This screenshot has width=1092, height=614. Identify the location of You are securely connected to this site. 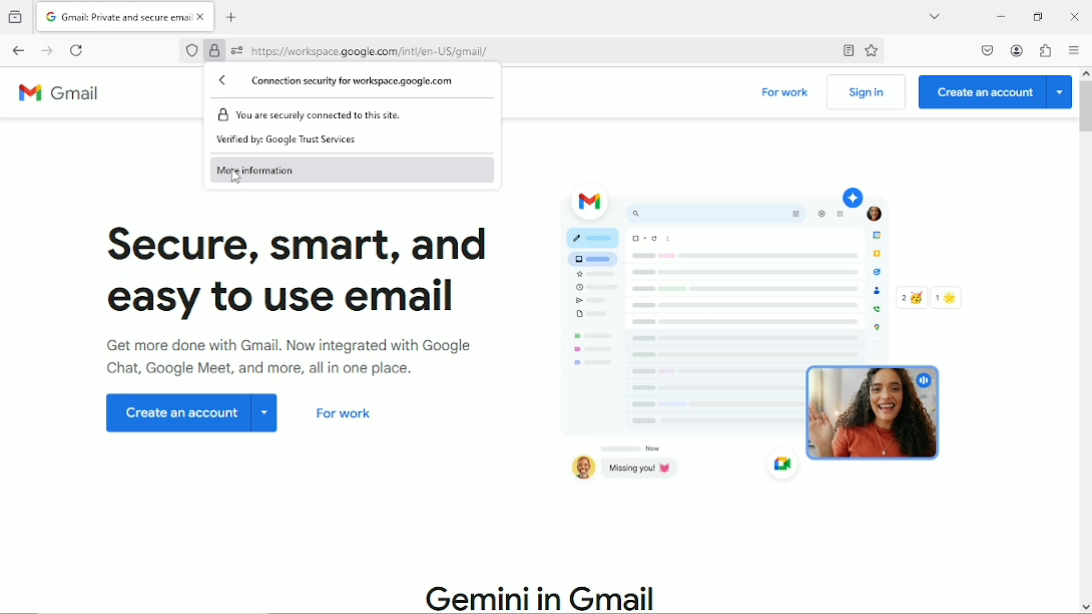
(307, 113).